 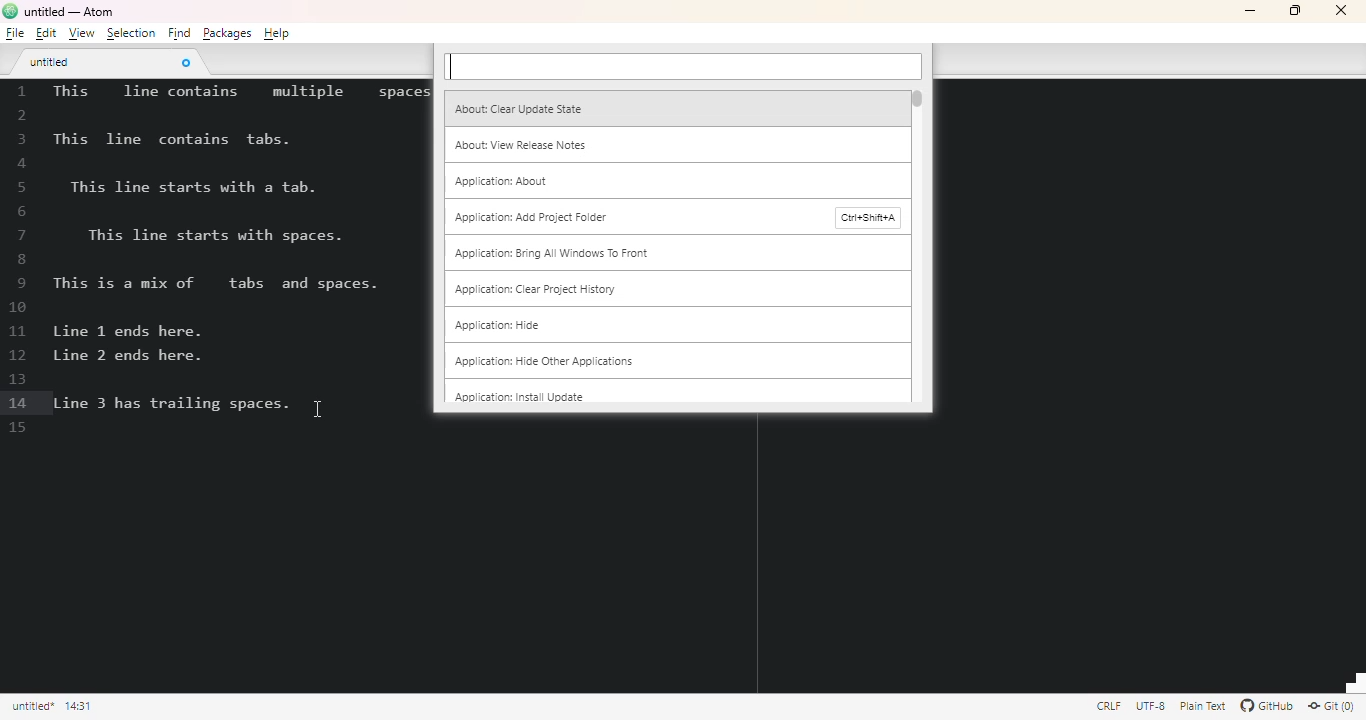 What do you see at coordinates (918, 99) in the screenshot?
I see `vertical scroll bar` at bounding box center [918, 99].